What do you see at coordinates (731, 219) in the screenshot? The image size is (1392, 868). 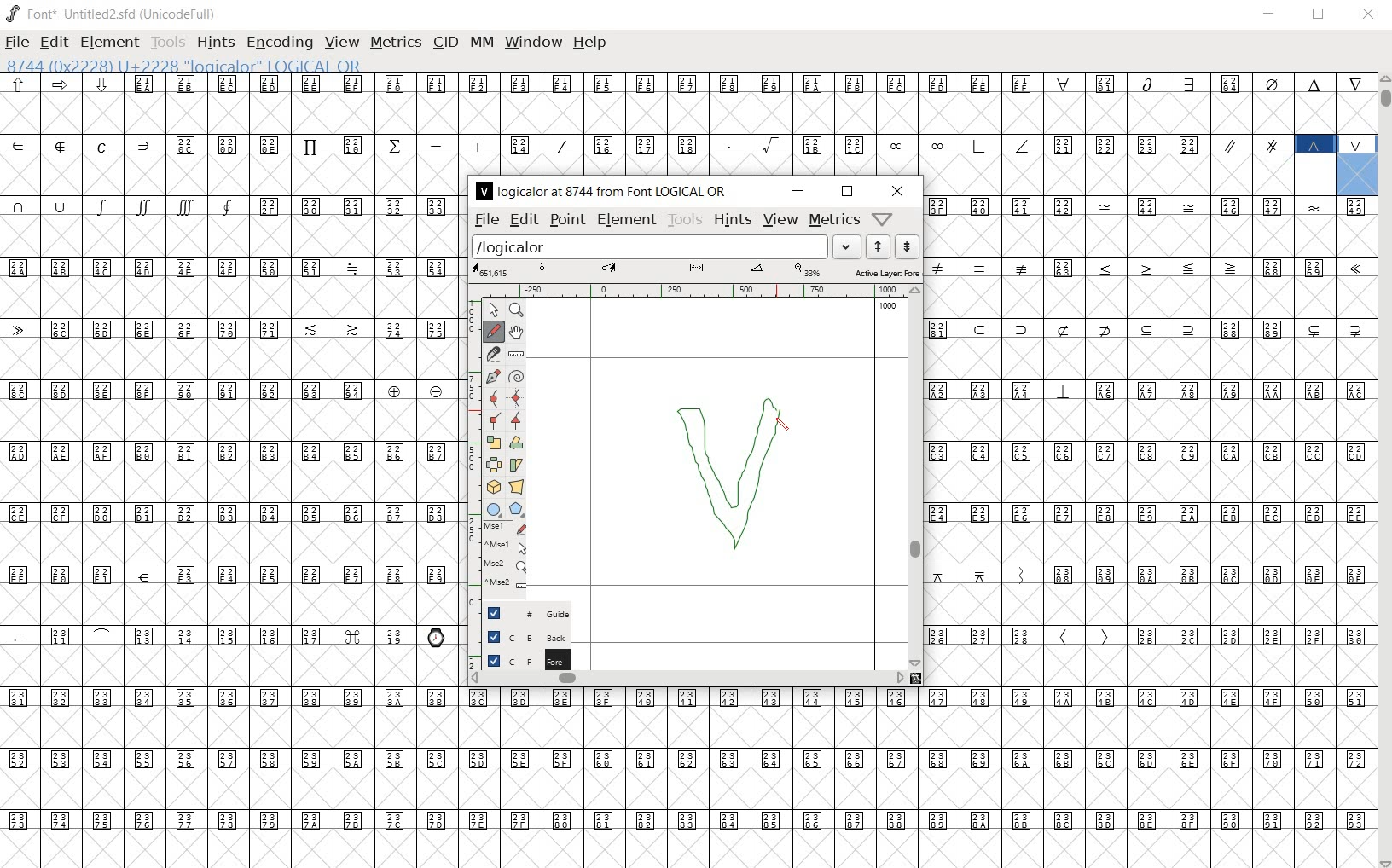 I see `hints` at bounding box center [731, 219].